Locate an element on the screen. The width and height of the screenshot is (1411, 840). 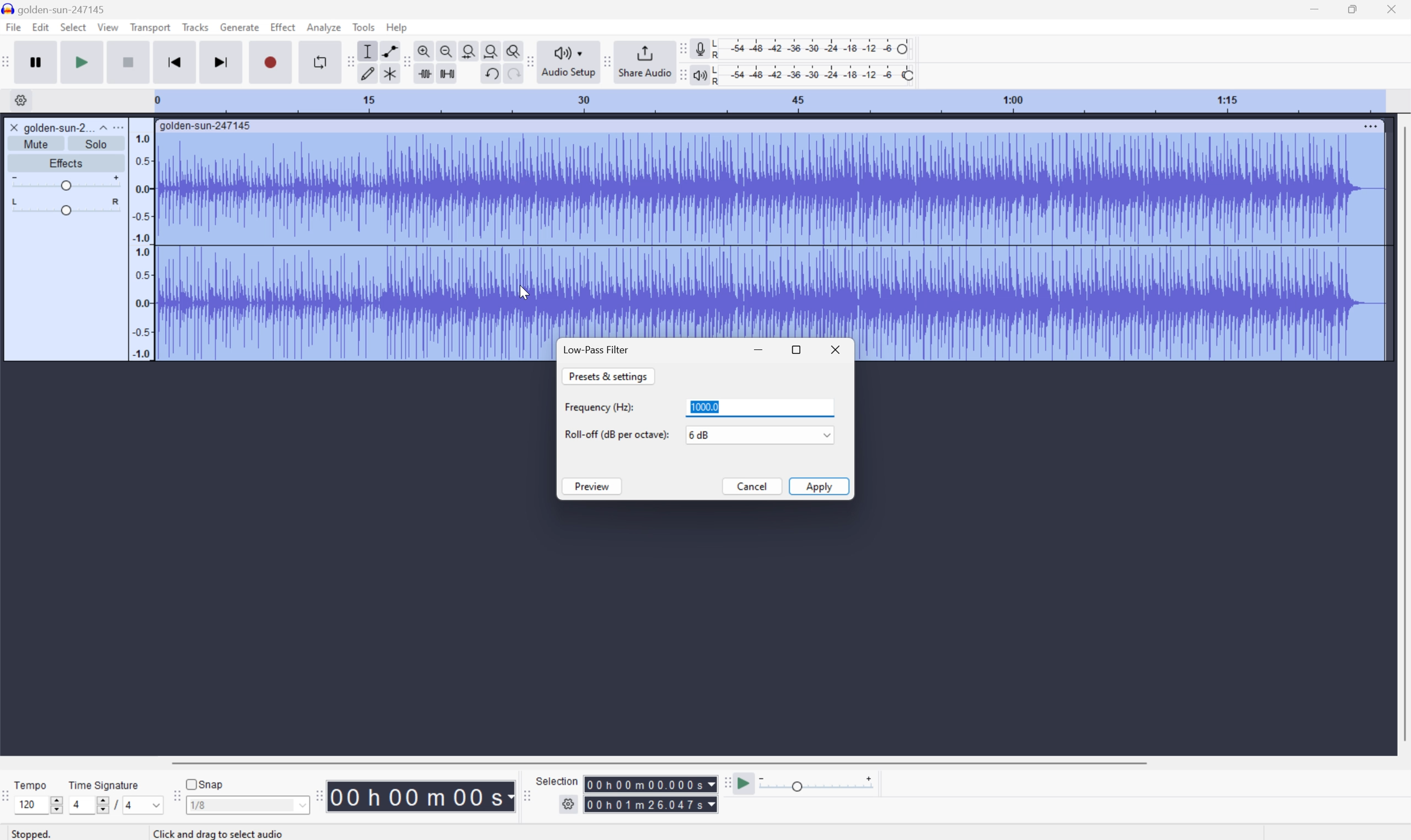
Snap is located at coordinates (205, 783).